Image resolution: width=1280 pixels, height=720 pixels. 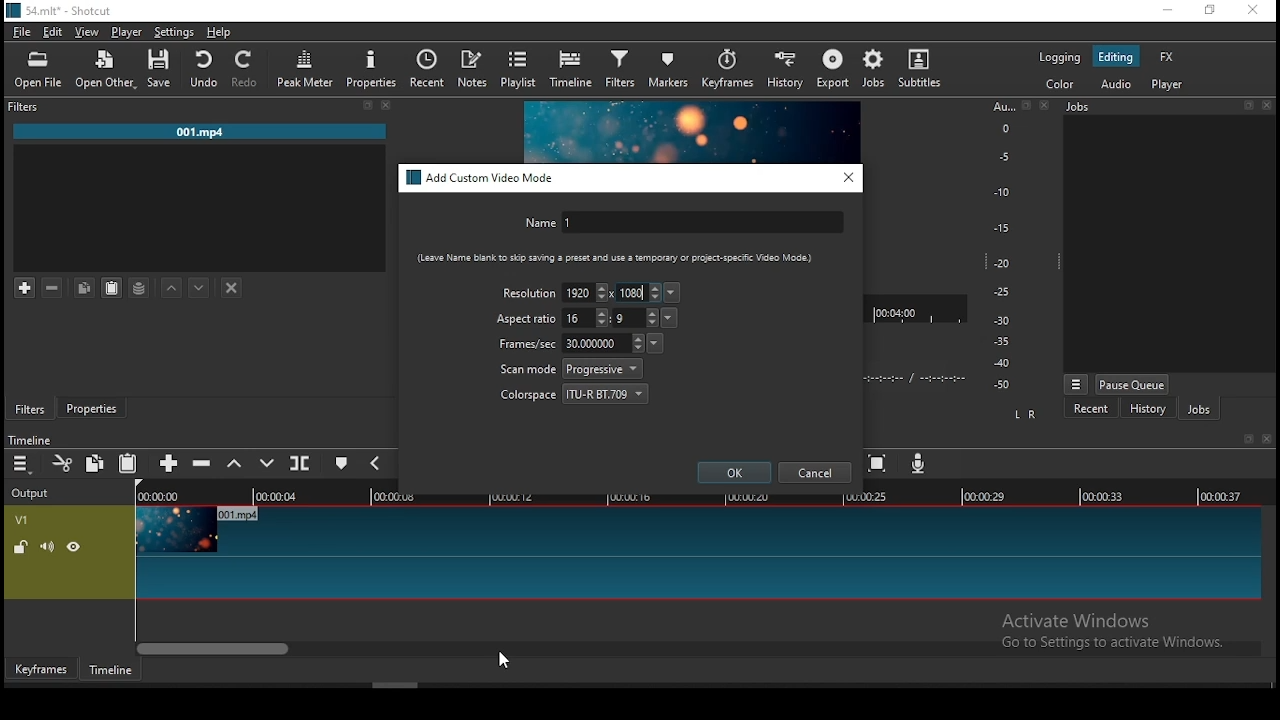 What do you see at coordinates (139, 285) in the screenshot?
I see `save filter set` at bounding box center [139, 285].